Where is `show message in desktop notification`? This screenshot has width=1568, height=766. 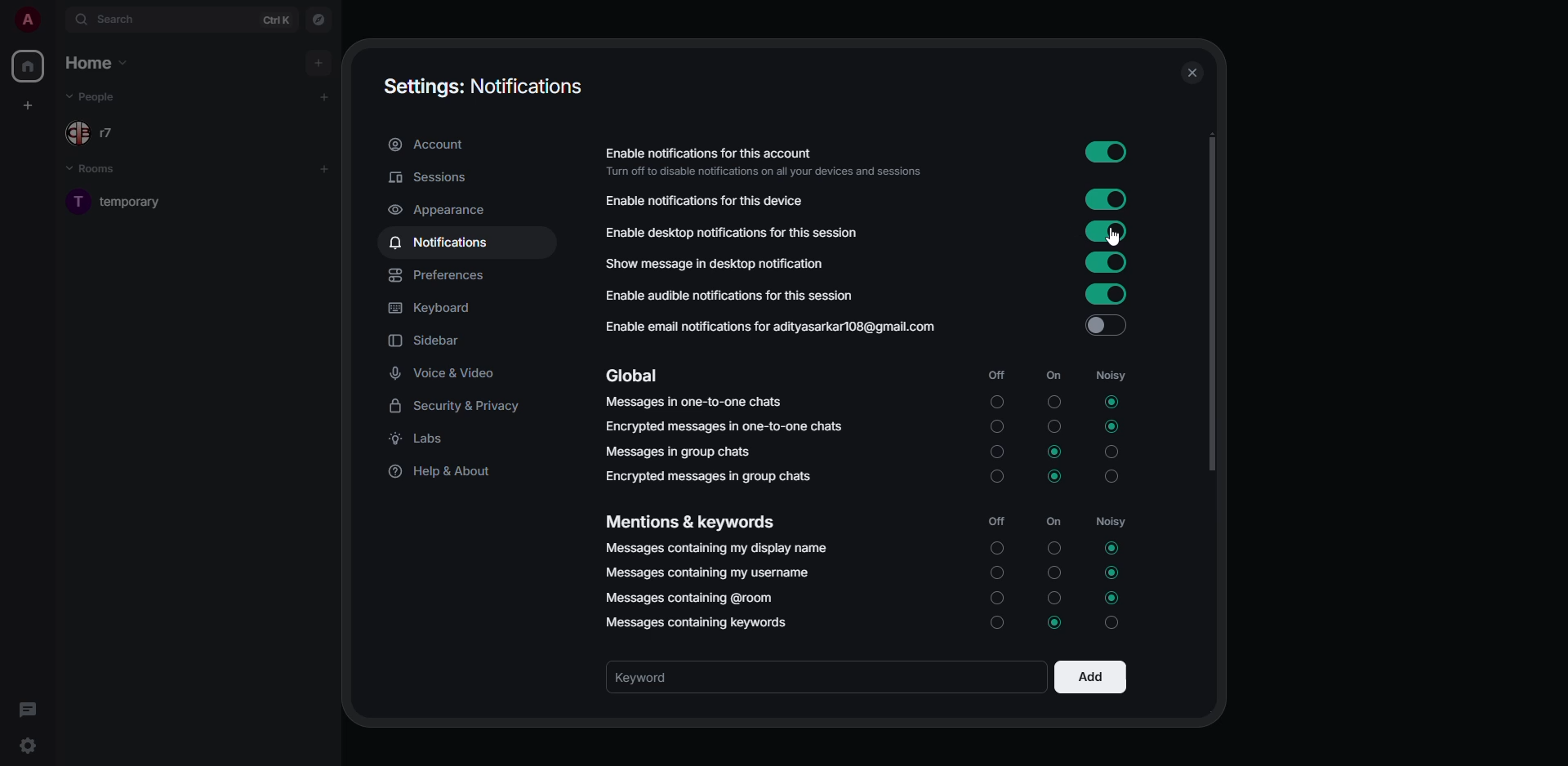 show message in desktop notification is located at coordinates (714, 263).